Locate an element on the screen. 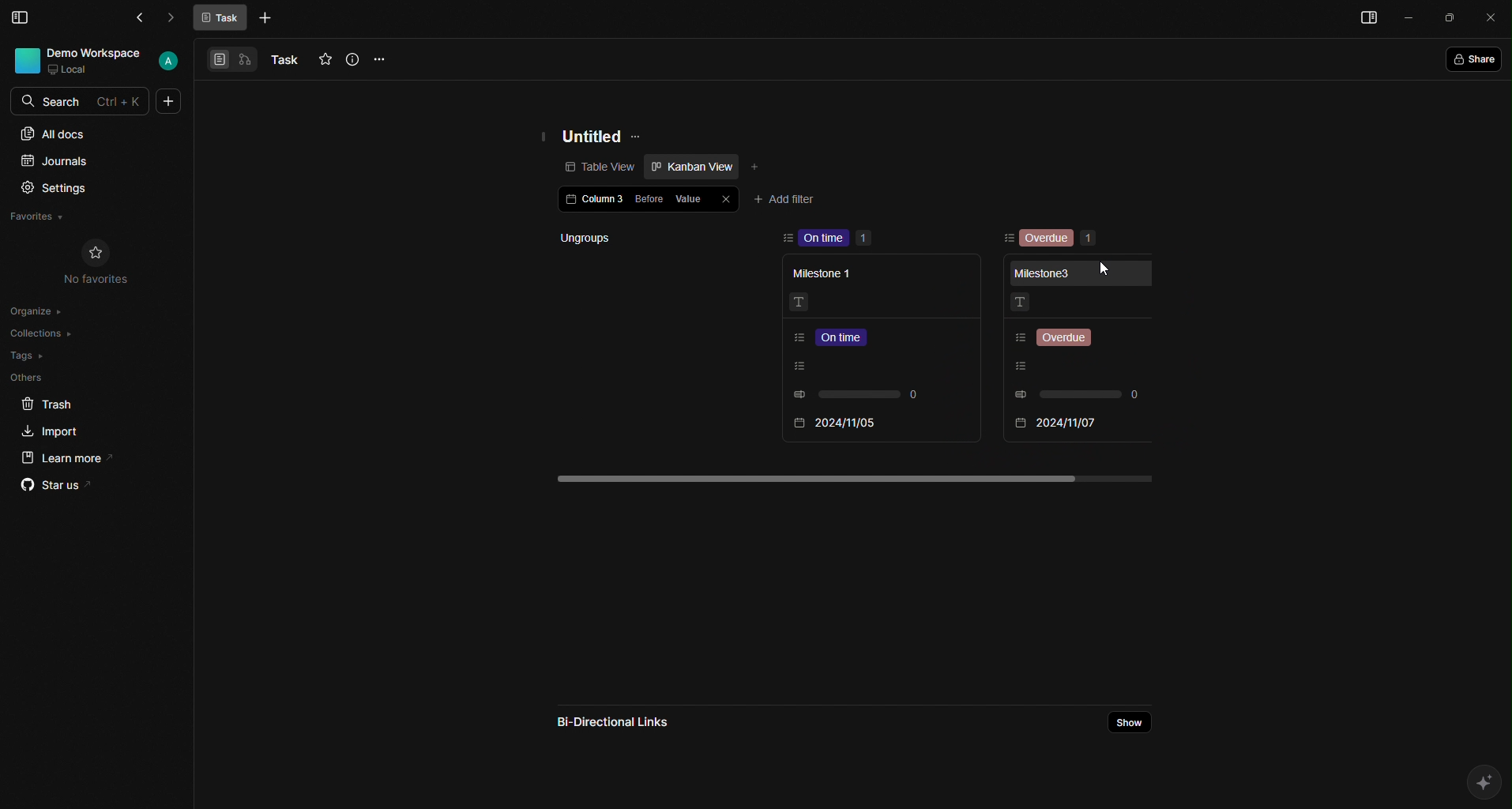 The width and height of the screenshot is (1512, 809). More is located at coordinates (168, 101).